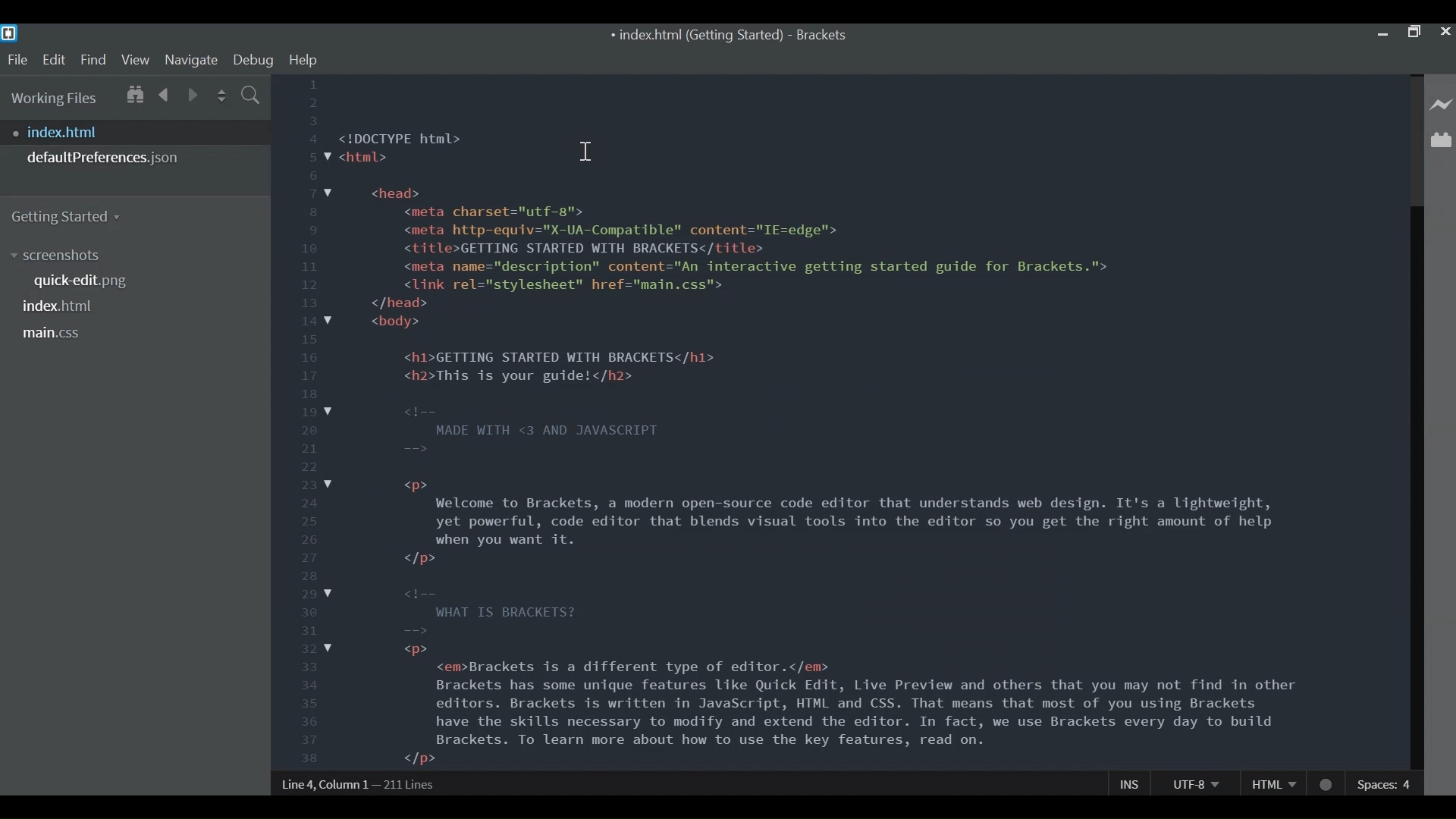  Describe the element at coordinates (53, 60) in the screenshot. I see `Edit` at that location.